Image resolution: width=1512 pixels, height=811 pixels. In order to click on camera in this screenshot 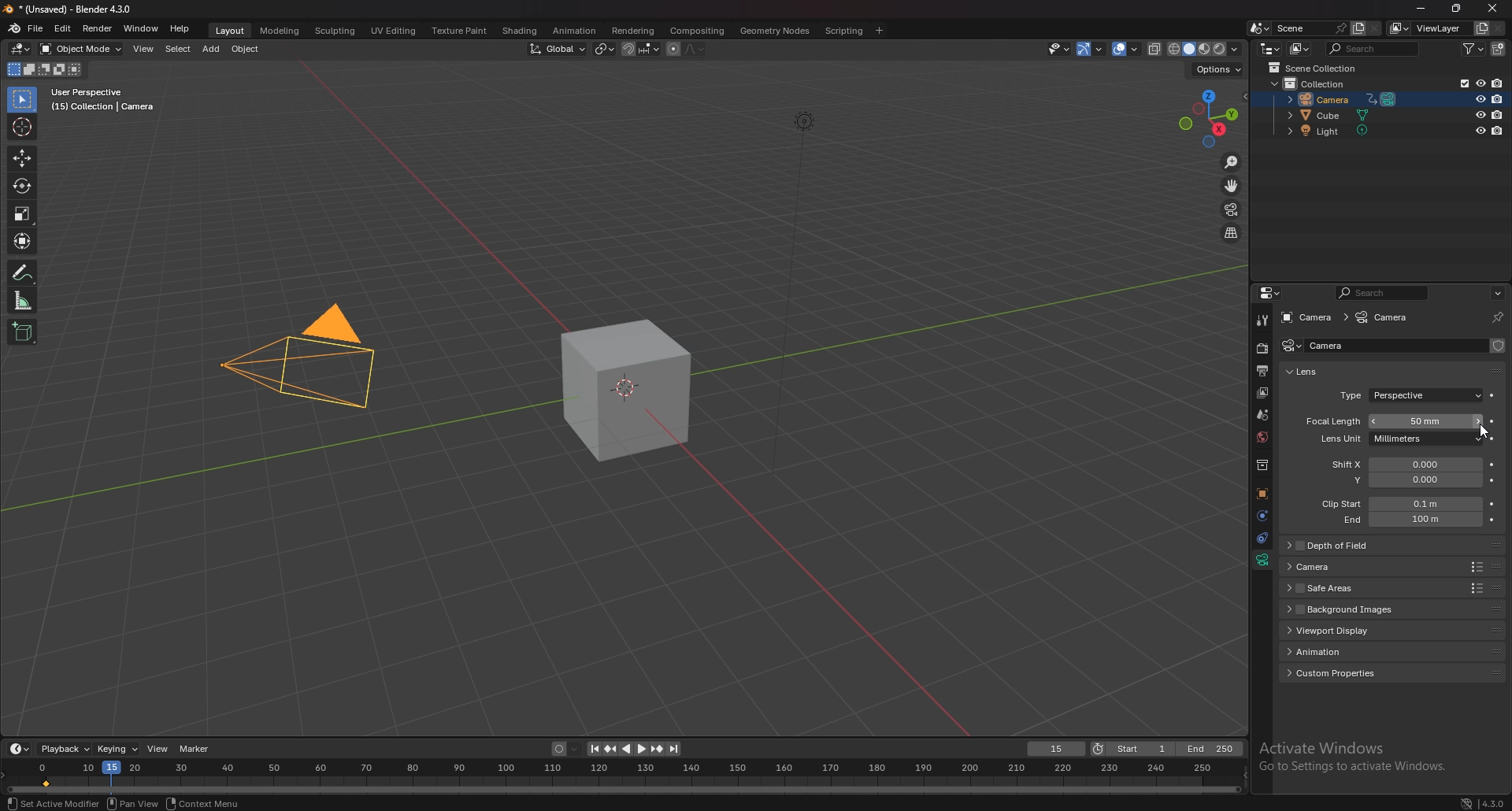, I will do `click(1351, 566)`.